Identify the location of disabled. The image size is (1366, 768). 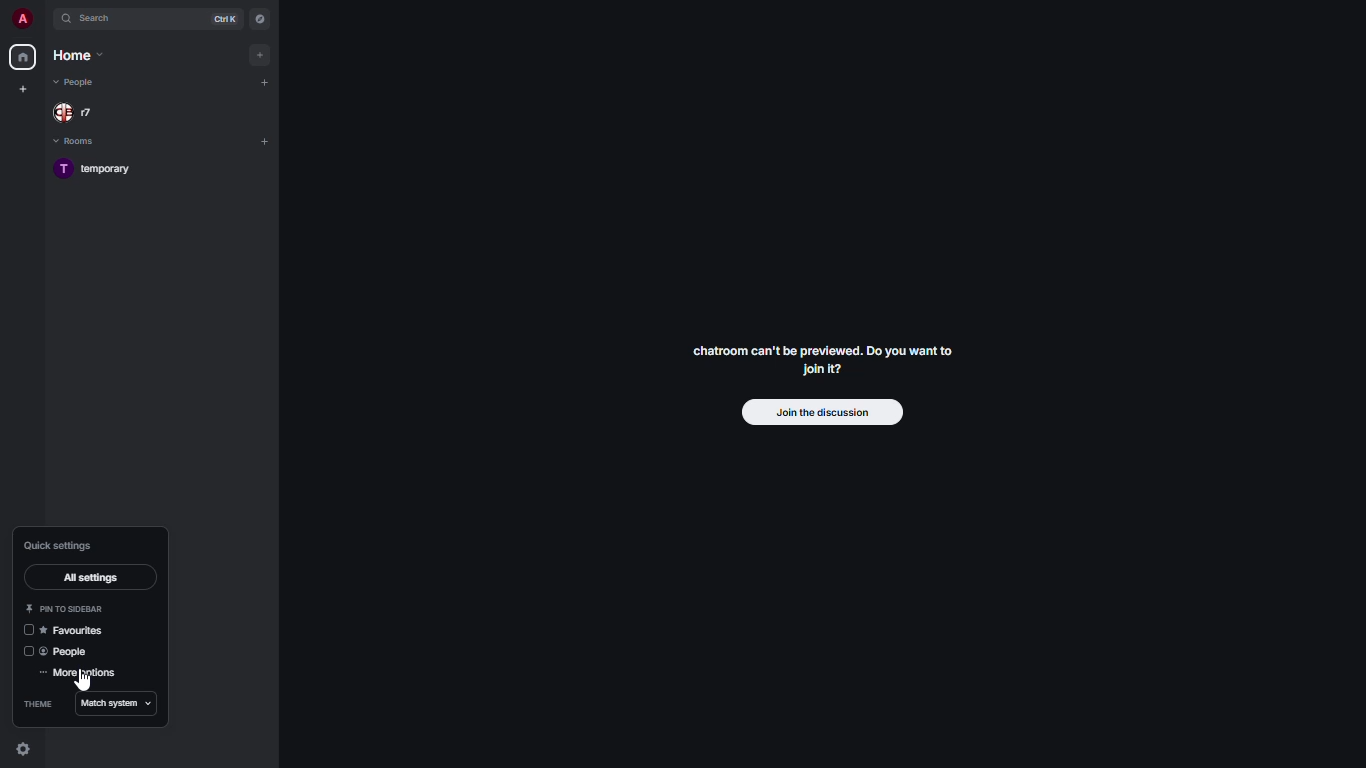
(28, 652).